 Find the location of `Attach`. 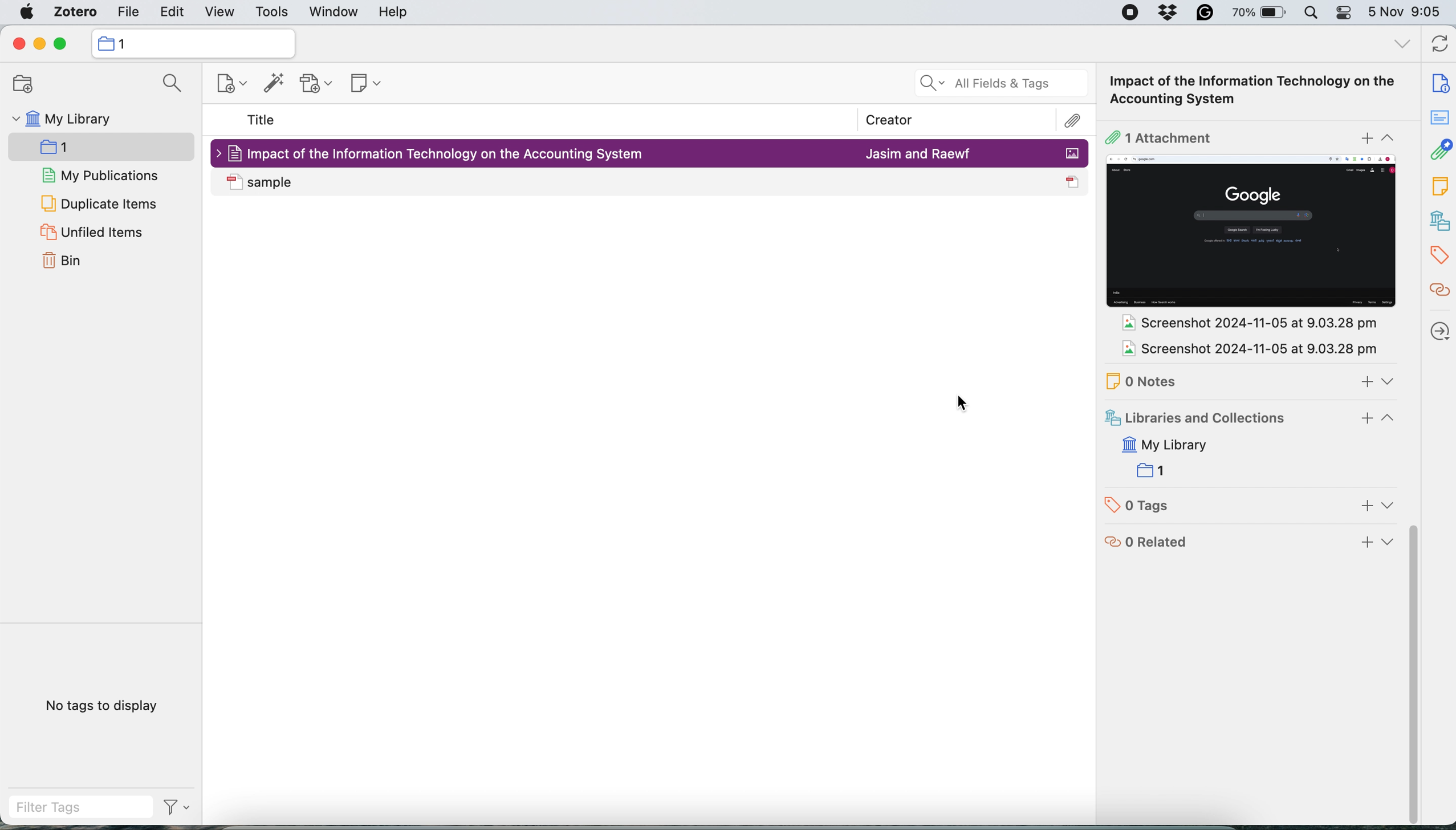

Attach is located at coordinates (1064, 117).